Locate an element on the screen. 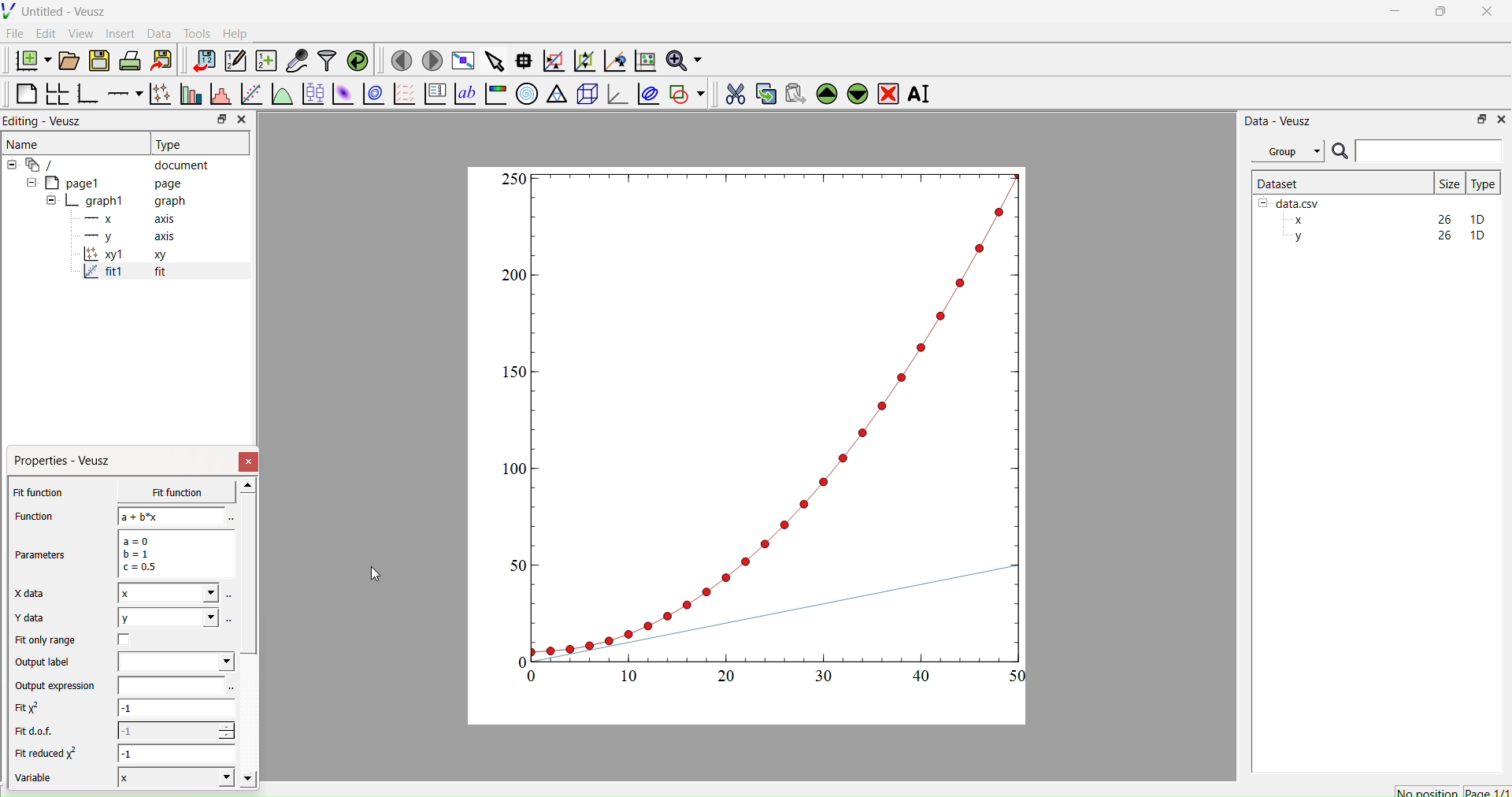  Fit x^2 is located at coordinates (35, 708).